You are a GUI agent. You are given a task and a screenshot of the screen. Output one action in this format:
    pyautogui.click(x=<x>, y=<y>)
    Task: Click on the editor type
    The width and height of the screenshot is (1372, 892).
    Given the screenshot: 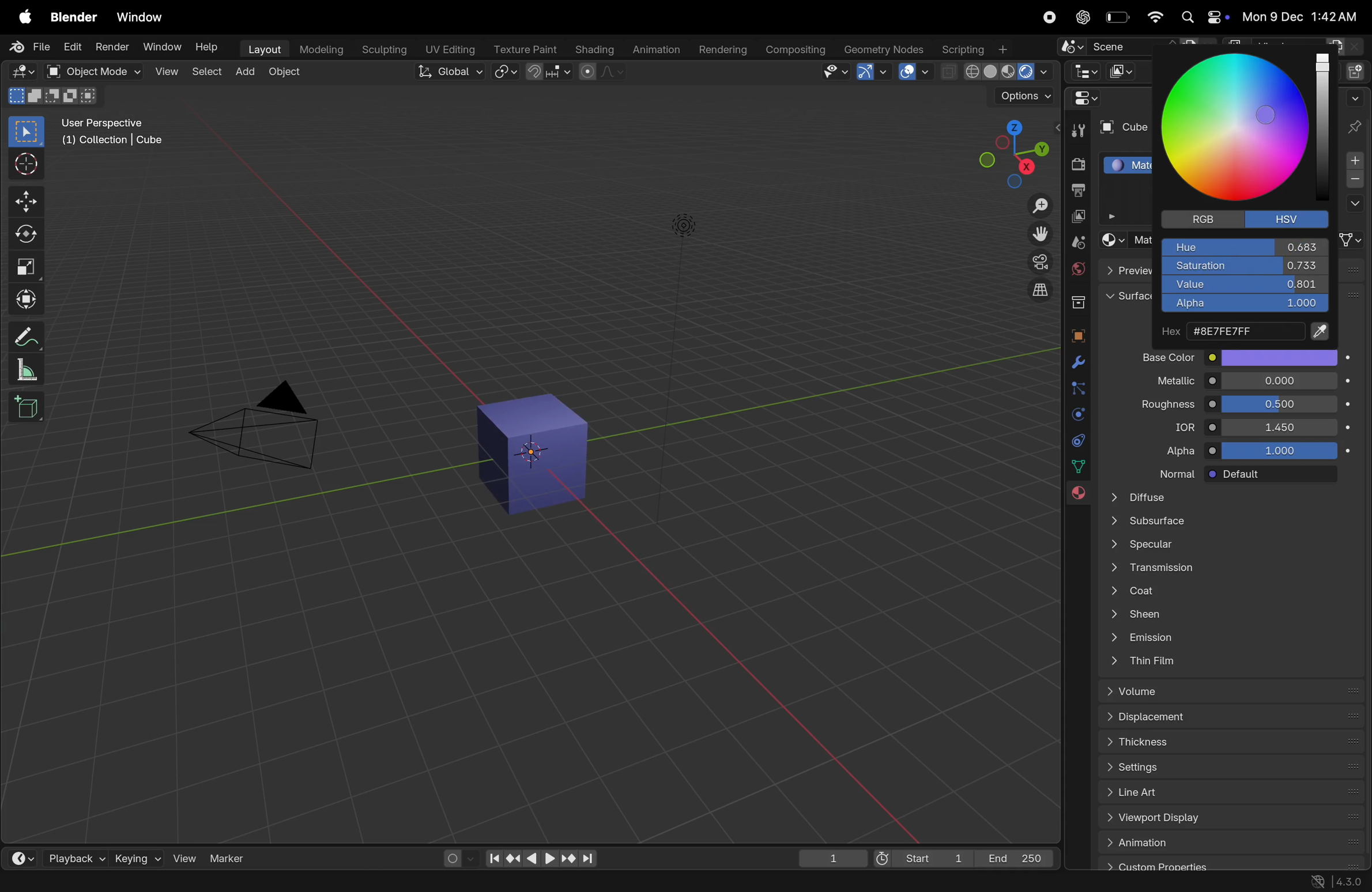 What is the action you would take?
    pyautogui.click(x=1084, y=70)
    